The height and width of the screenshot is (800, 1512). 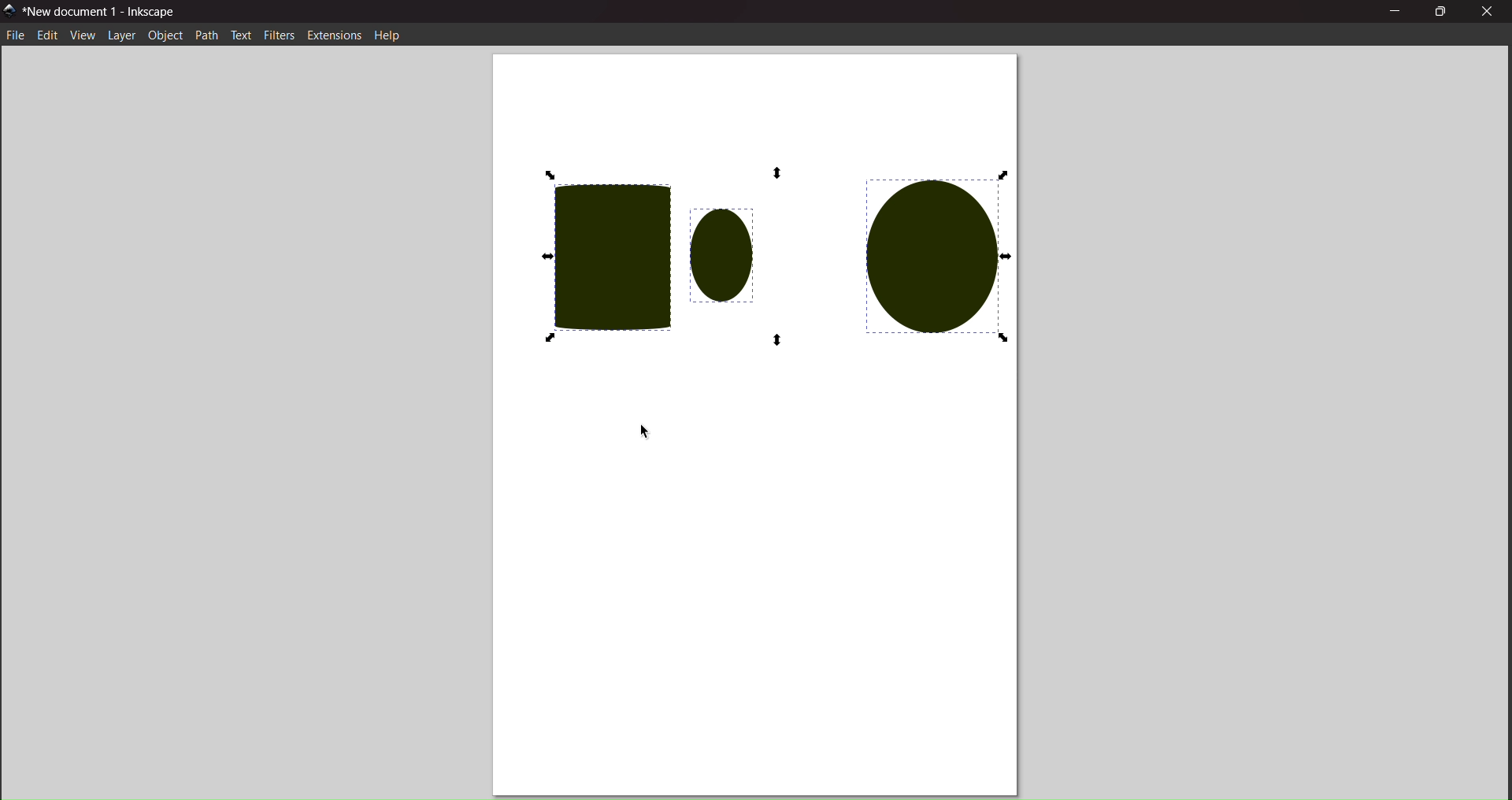 What do you see at coordinates (46, 36) in the screenshot?
I see `edit` at bounding box center [46, 36].